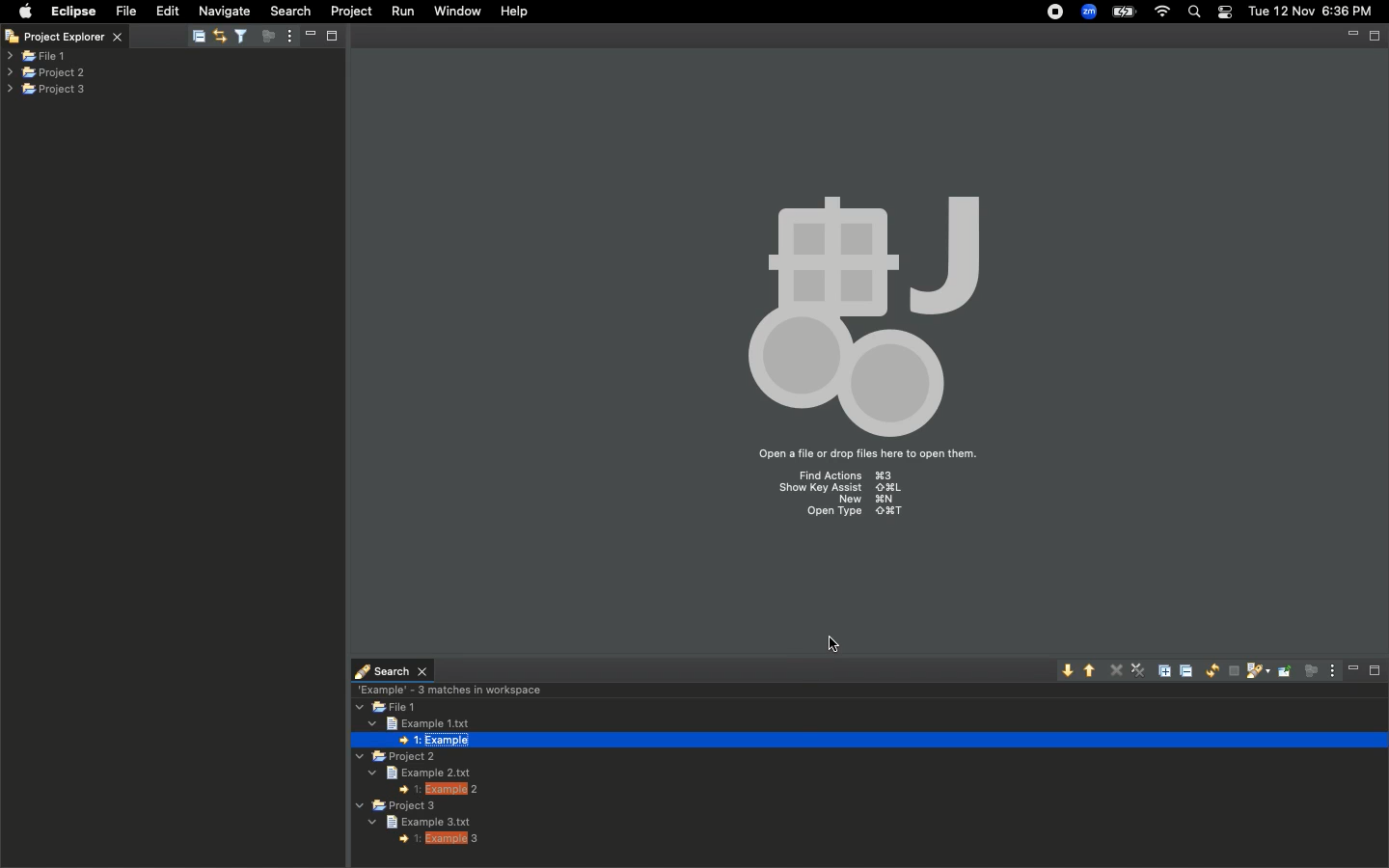 The height and width of the screenshot is (868, 1389). What do you see at coordinates (1312, 11) in the screenshot?
I see `Date/time` at bounding box center [1312, 11].